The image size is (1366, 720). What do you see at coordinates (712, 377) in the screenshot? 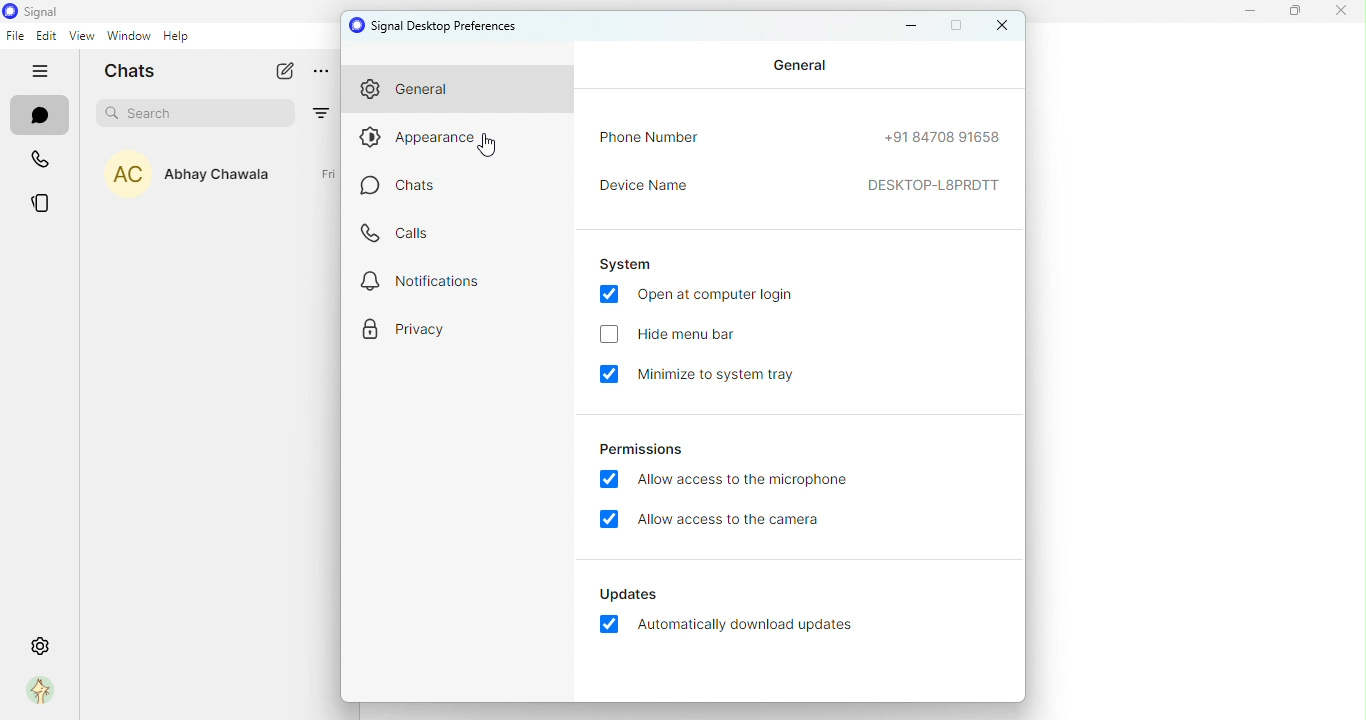
I see `minimize to system tray` at bounding box center [712, 377].